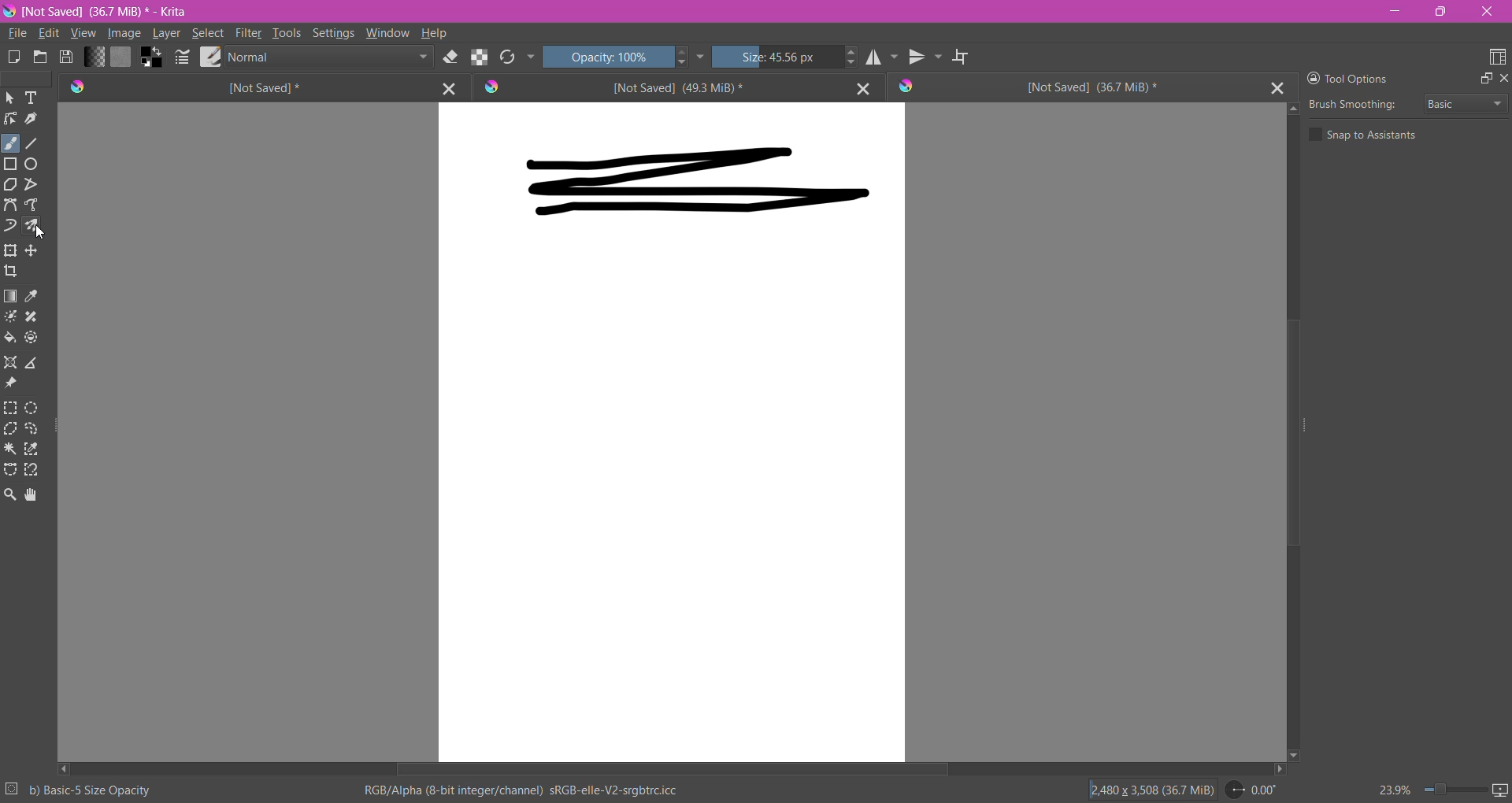 Image resolution: width=1512 pixels, height=803 pixels. Describe the element at coordinates (1368, 135) in the screenshot. I see `Snap to Assistants` at that location.